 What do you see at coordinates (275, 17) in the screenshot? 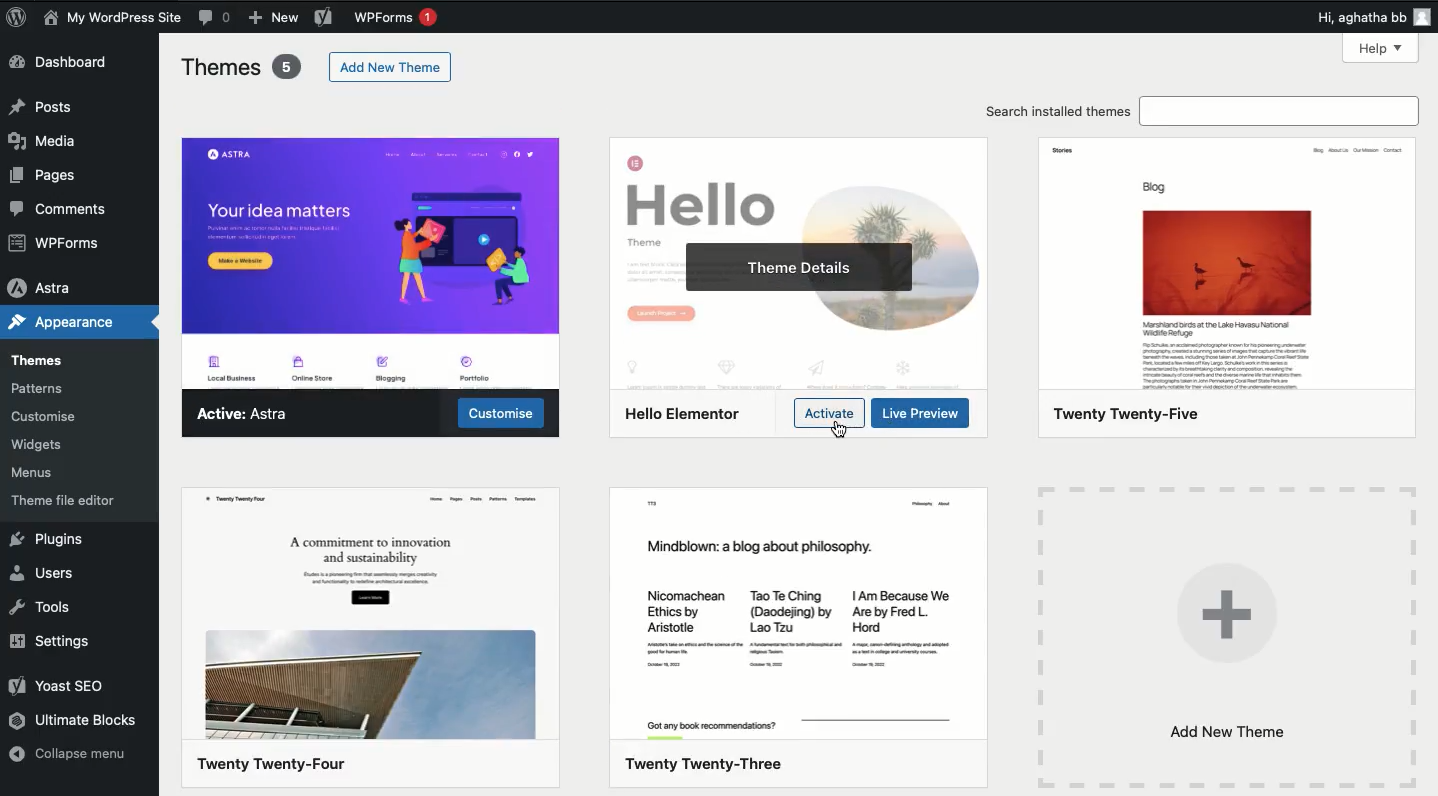
I see `New` at bounding box center [275, 17].